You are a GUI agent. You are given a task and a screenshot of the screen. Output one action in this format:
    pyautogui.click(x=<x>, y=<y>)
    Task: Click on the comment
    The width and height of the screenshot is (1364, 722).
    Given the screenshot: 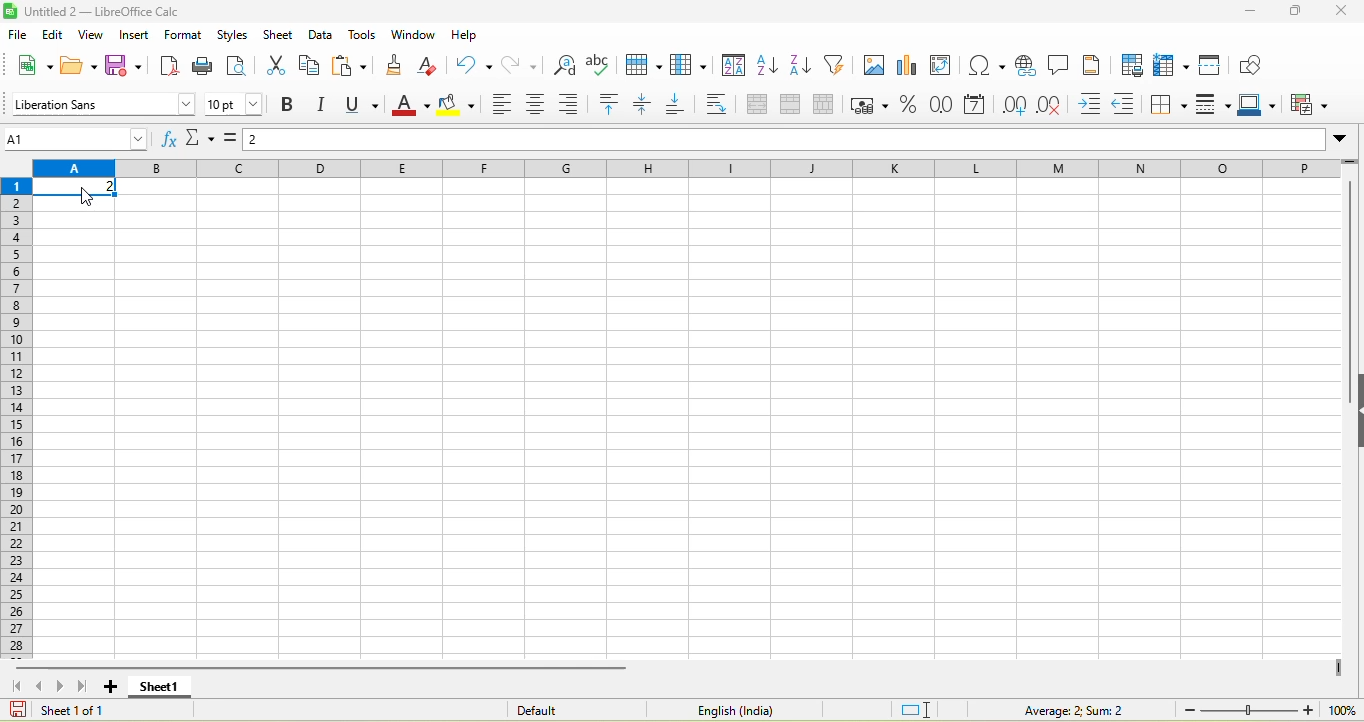 What is the action you would take?
    pyautogui.click(x=1063, y=65)
    